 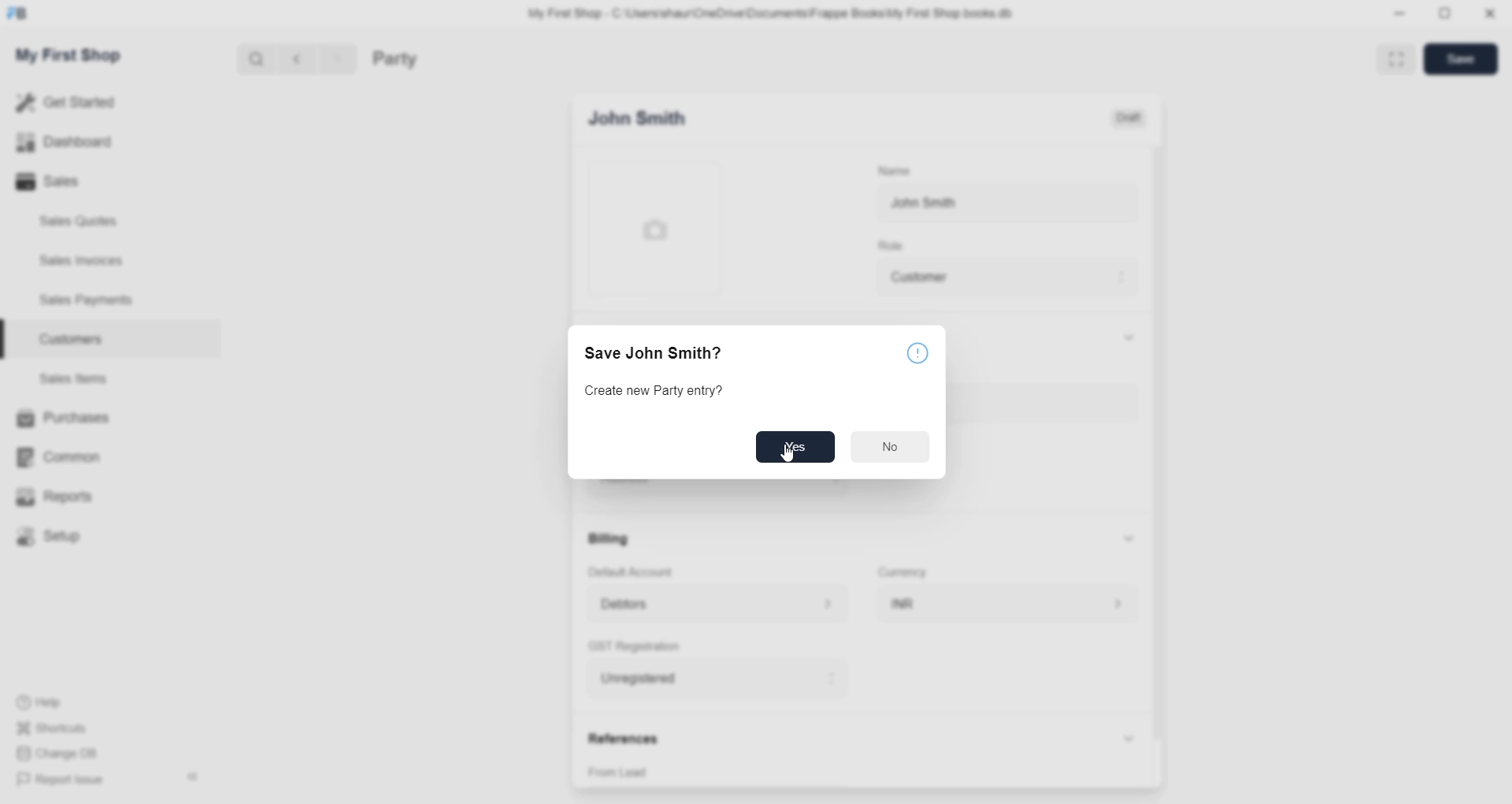 What do you see at coordinates (94, 303) in the screenshot?
I see `sales payments` at bounding box center [94, 303].